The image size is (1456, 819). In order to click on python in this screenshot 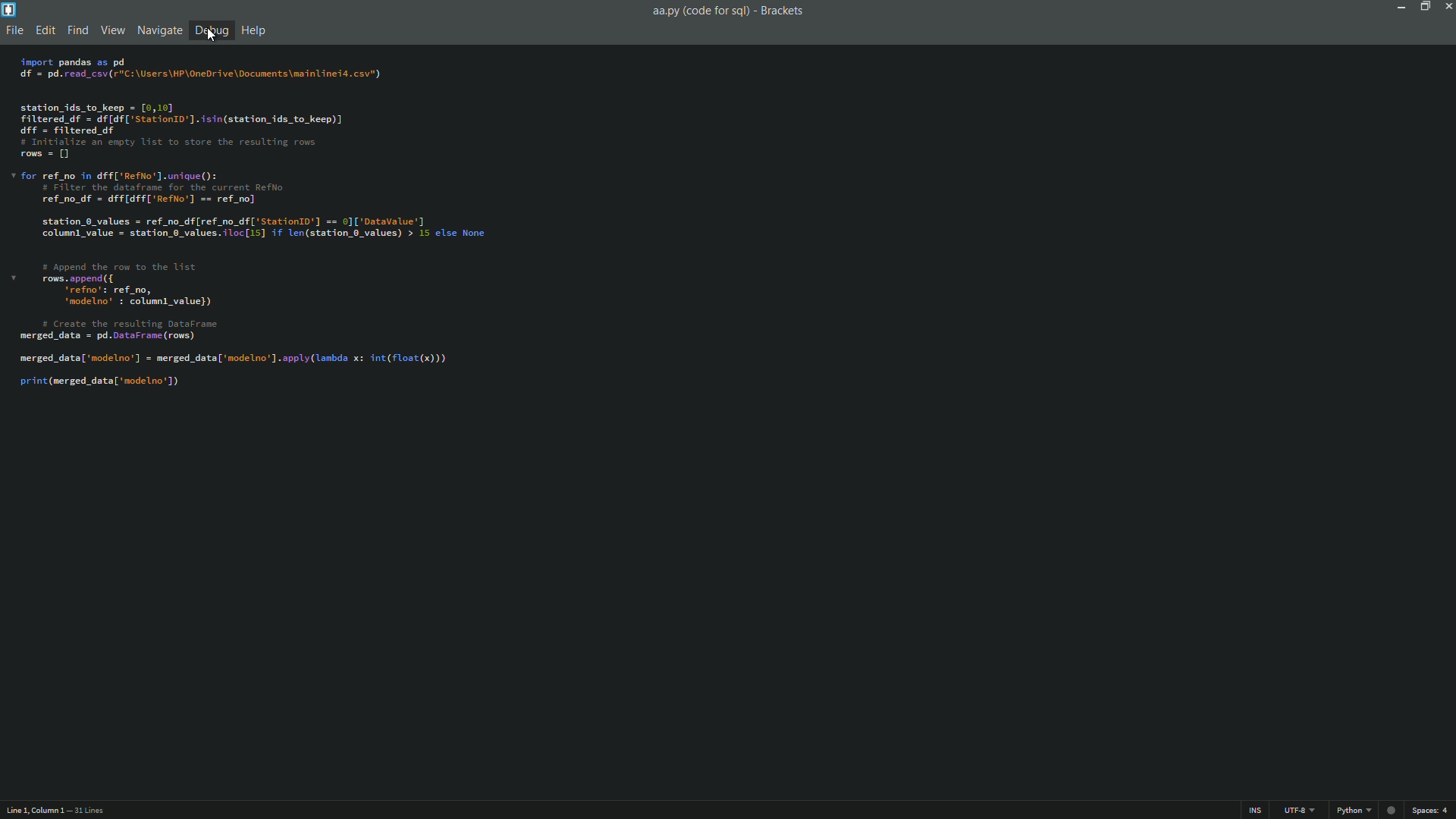, I will do `click(1354, 810)`.